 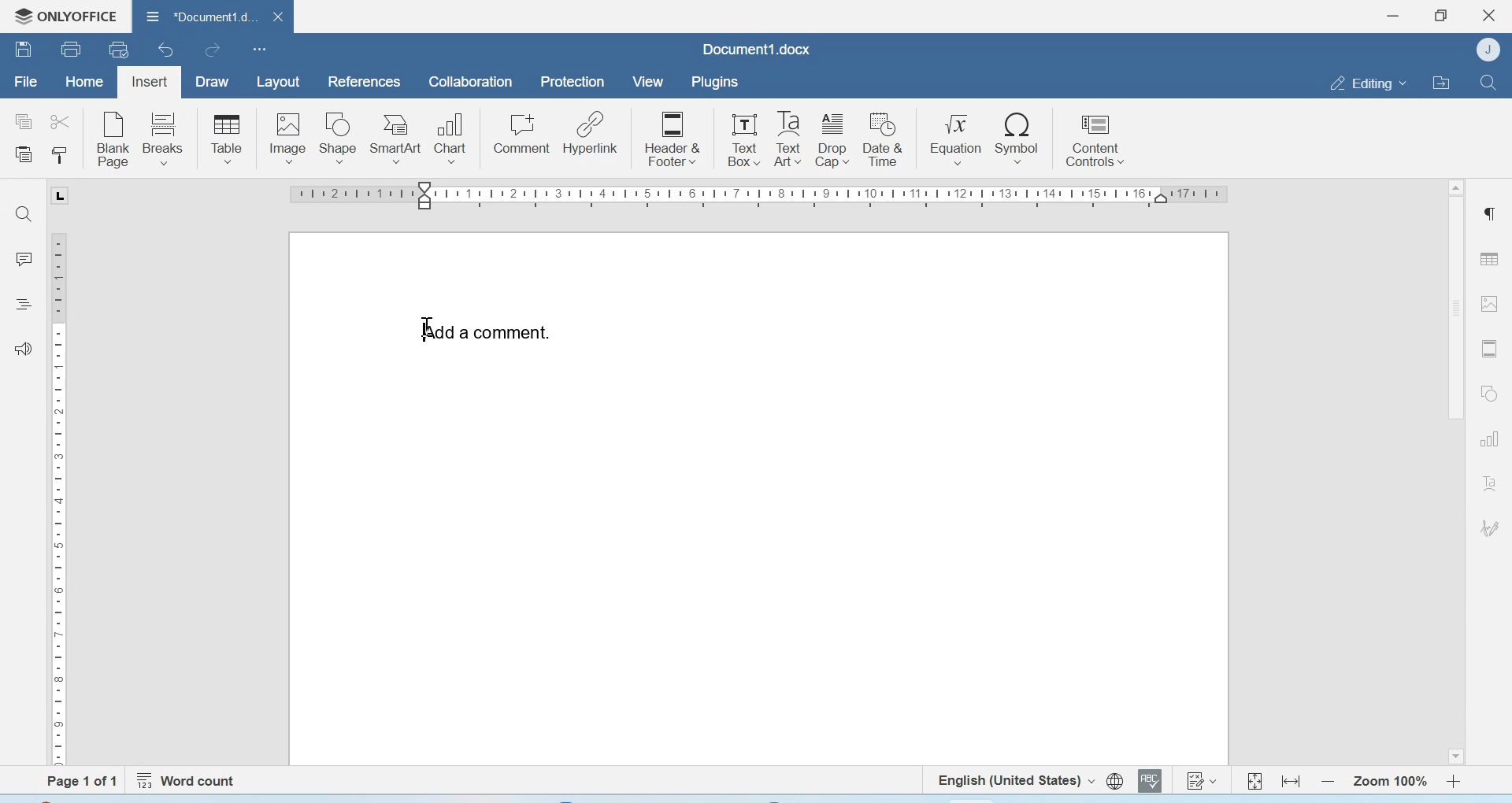 I want to click on Onlyoffice, so click(x=61, y=17).